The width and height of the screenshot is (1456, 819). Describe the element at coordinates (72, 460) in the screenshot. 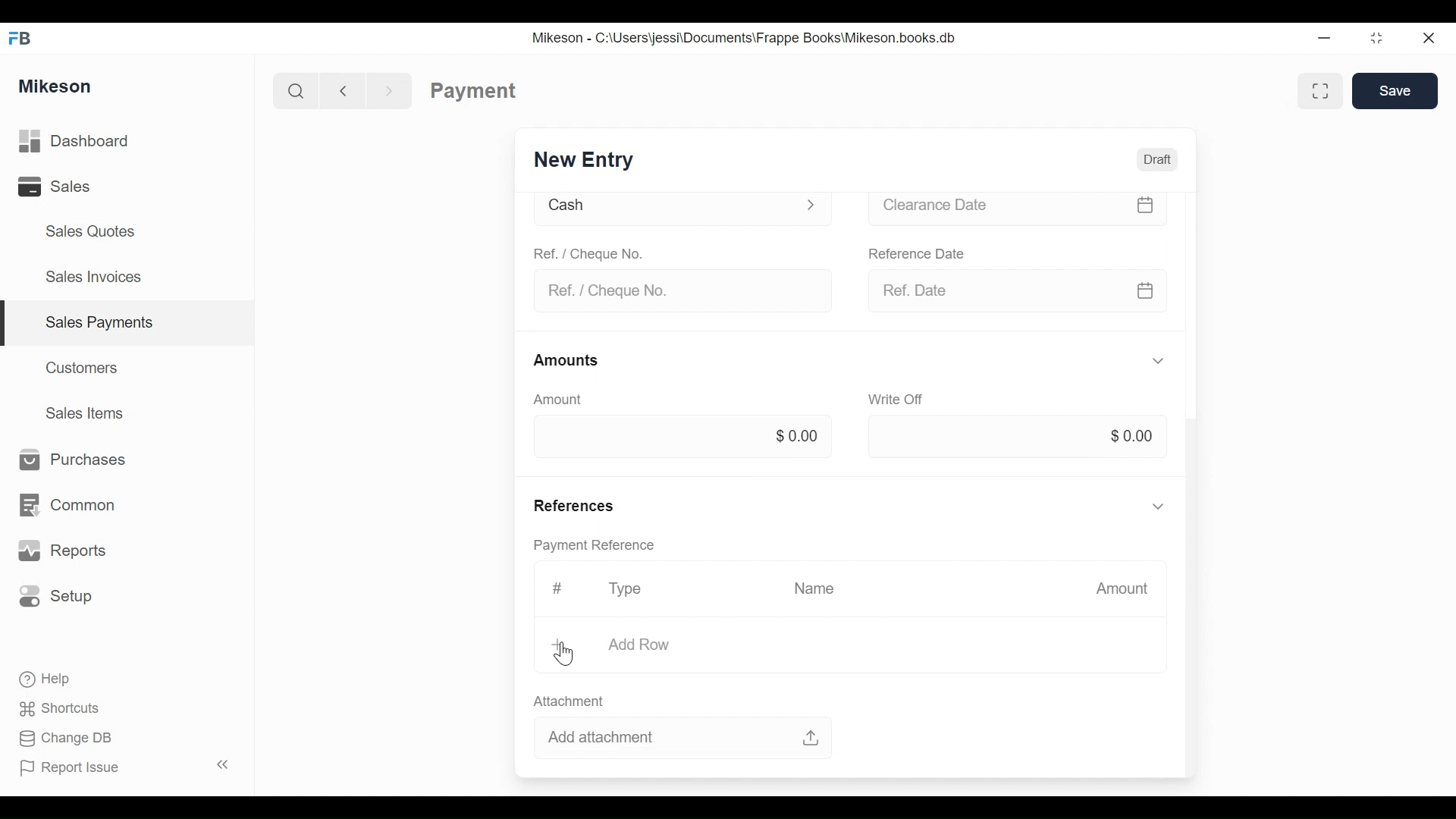

I see `Purchases` at that location.